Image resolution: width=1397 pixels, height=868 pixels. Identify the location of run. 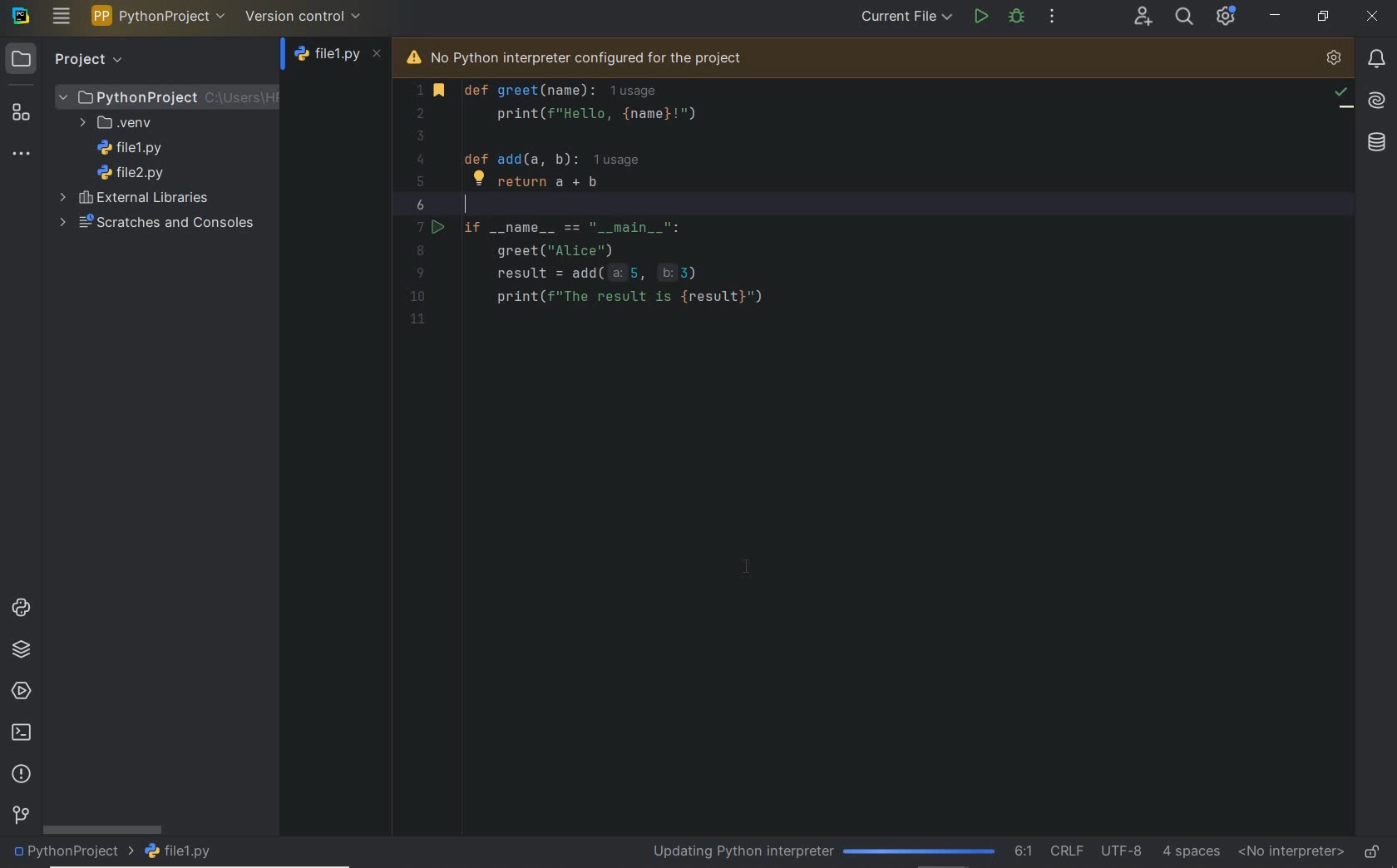
(980, 15).